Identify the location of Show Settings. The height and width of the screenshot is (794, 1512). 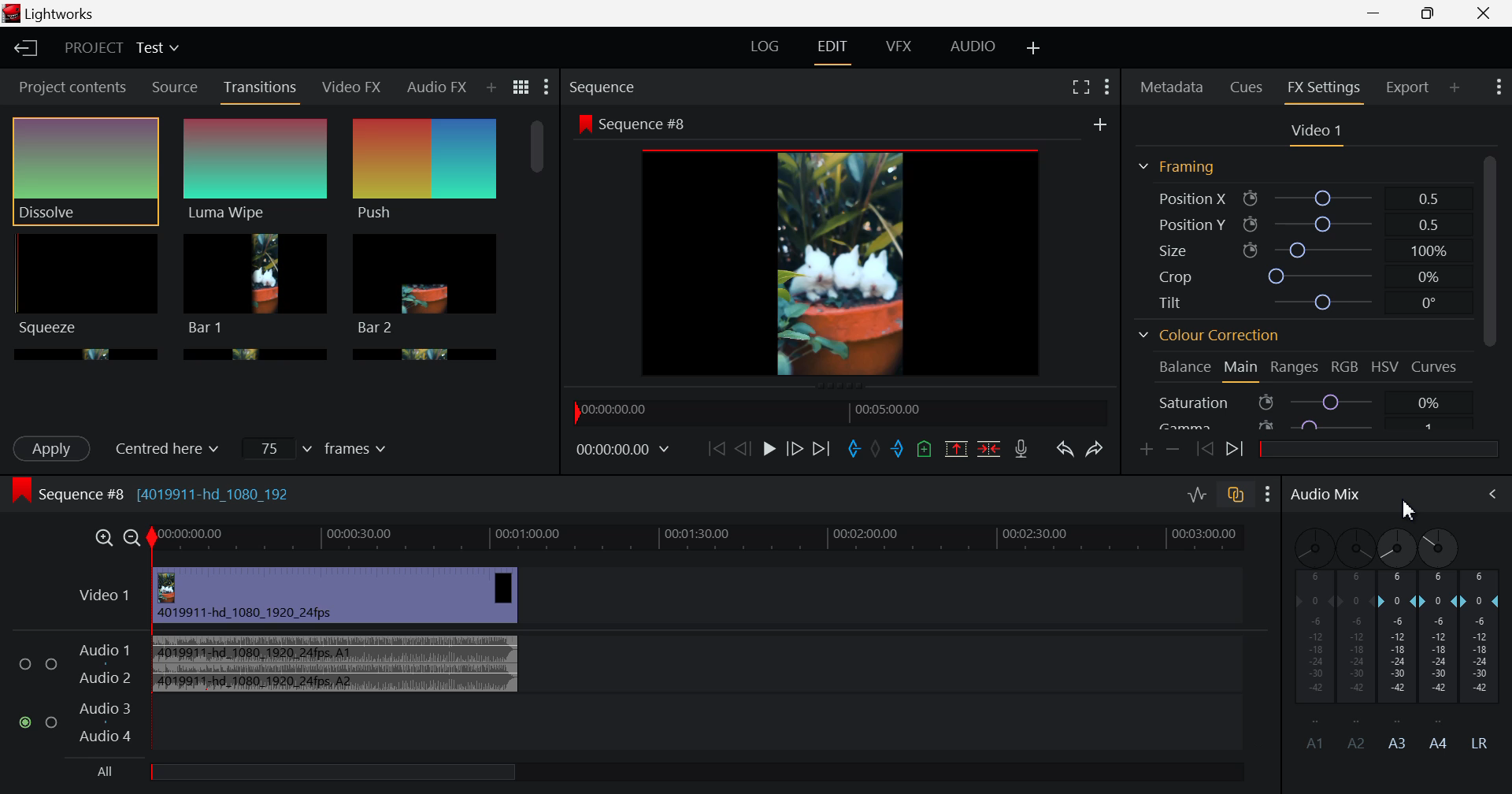
(1498, 89).